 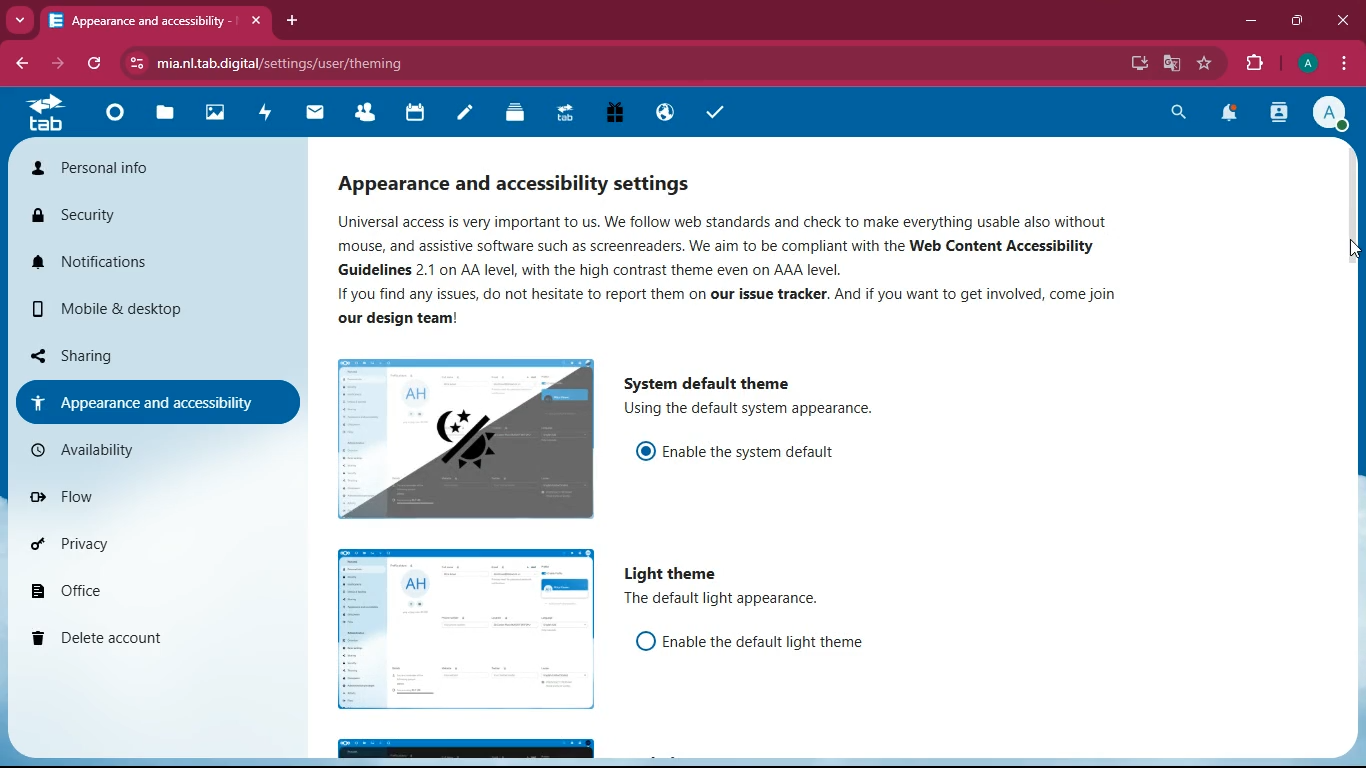 What do you see at coordinates (416, 115) in the screenshot?
I see `calendar` at bounding box center [416, 115].